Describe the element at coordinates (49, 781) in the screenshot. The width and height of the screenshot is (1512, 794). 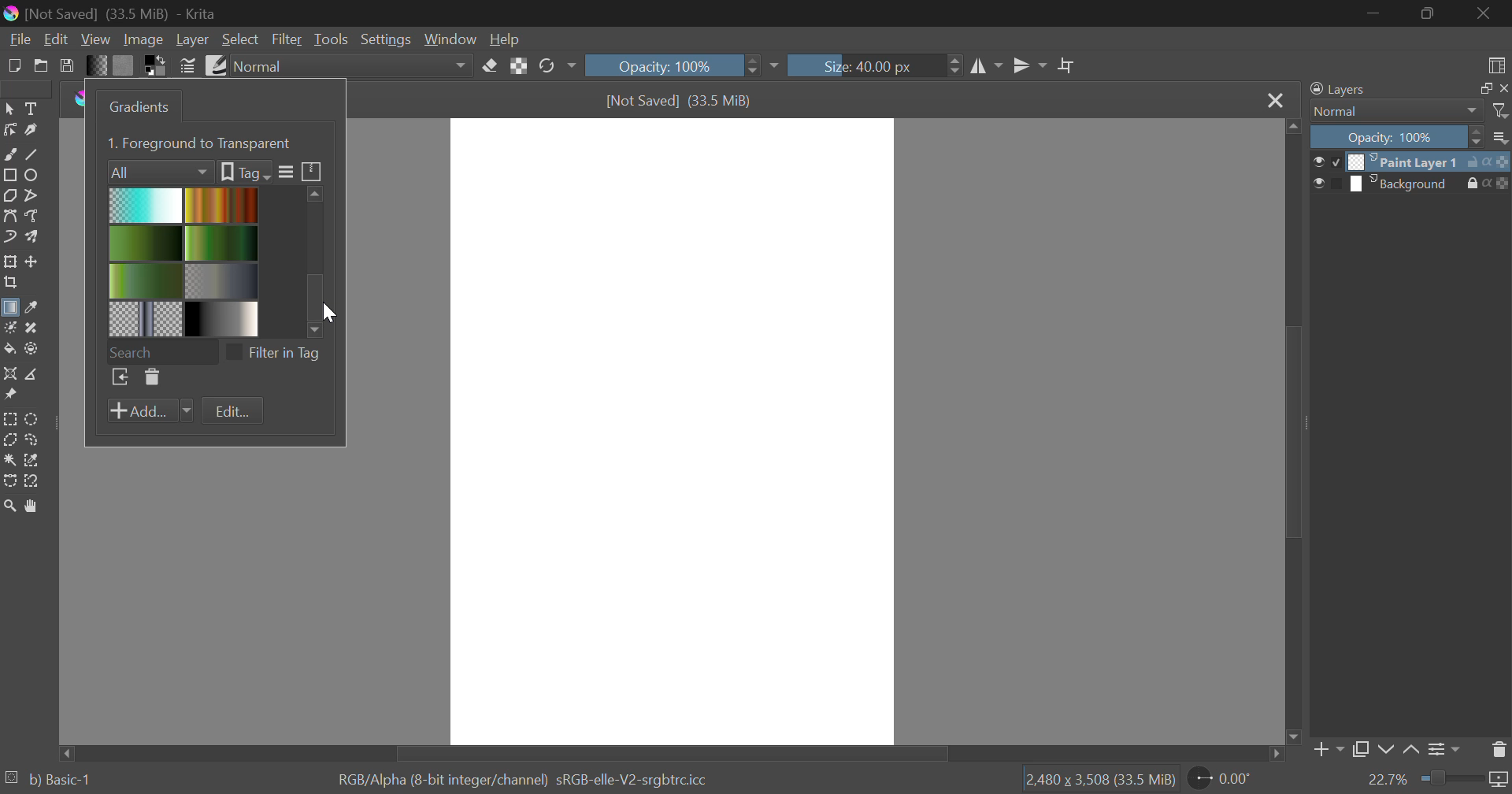
I see `b) Basic-1` at that location.